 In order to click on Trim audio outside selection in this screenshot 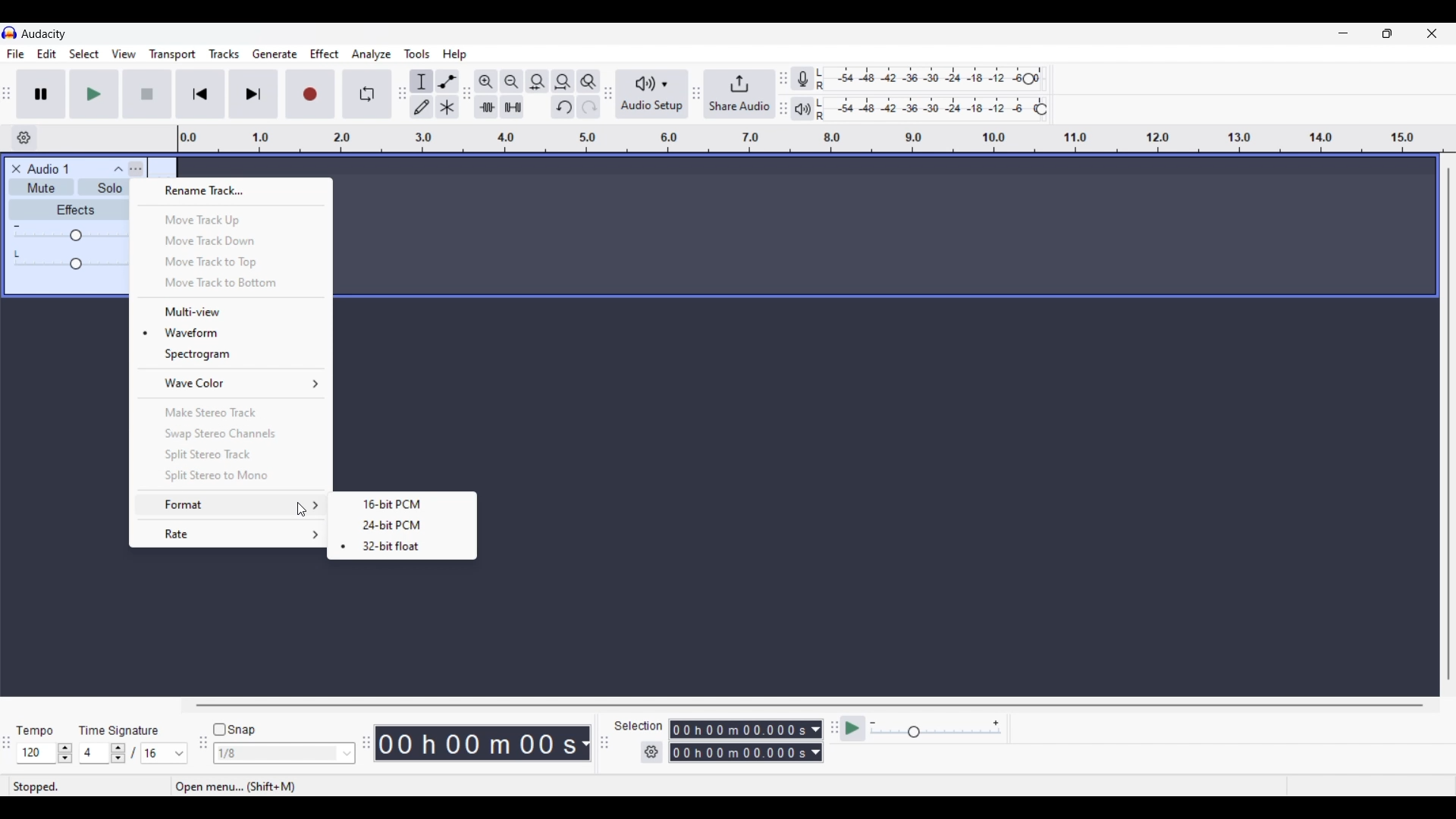, I will do `click(485, 106)`.